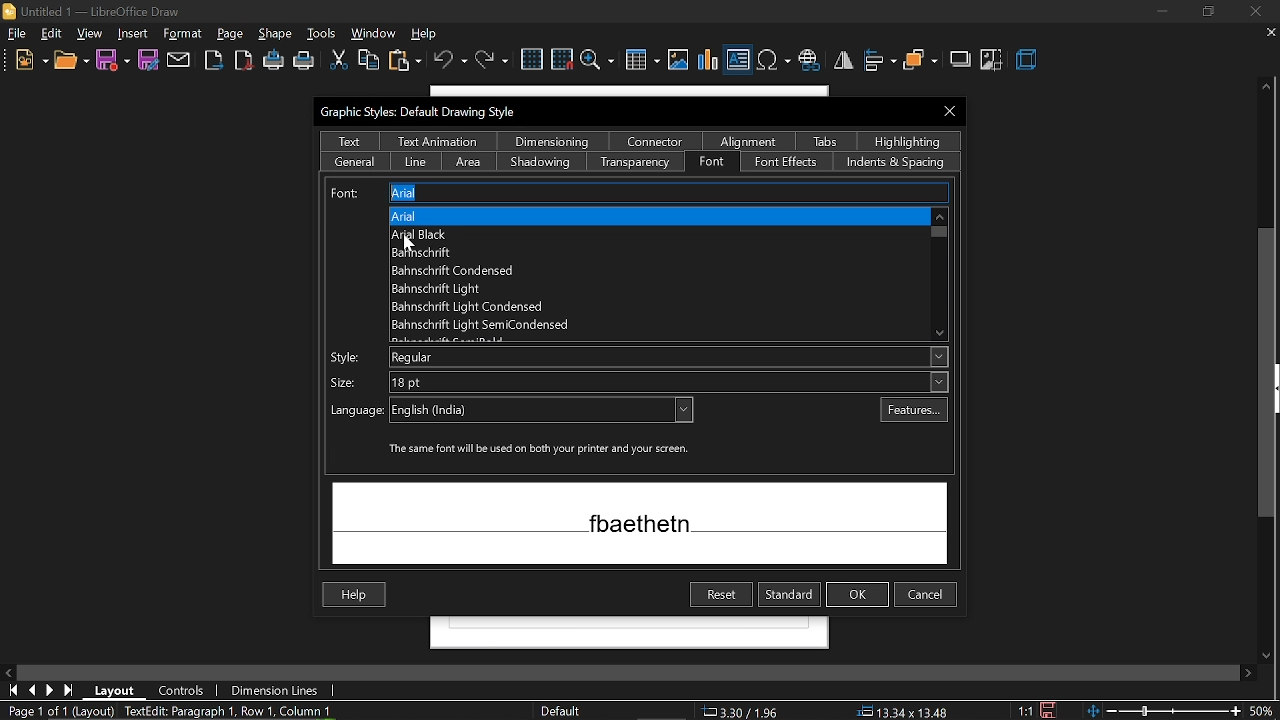 This screenshot has width=1280, height=720. Describe the element at coordinates (914, 410) in the screenshot. I see `features` at that location.